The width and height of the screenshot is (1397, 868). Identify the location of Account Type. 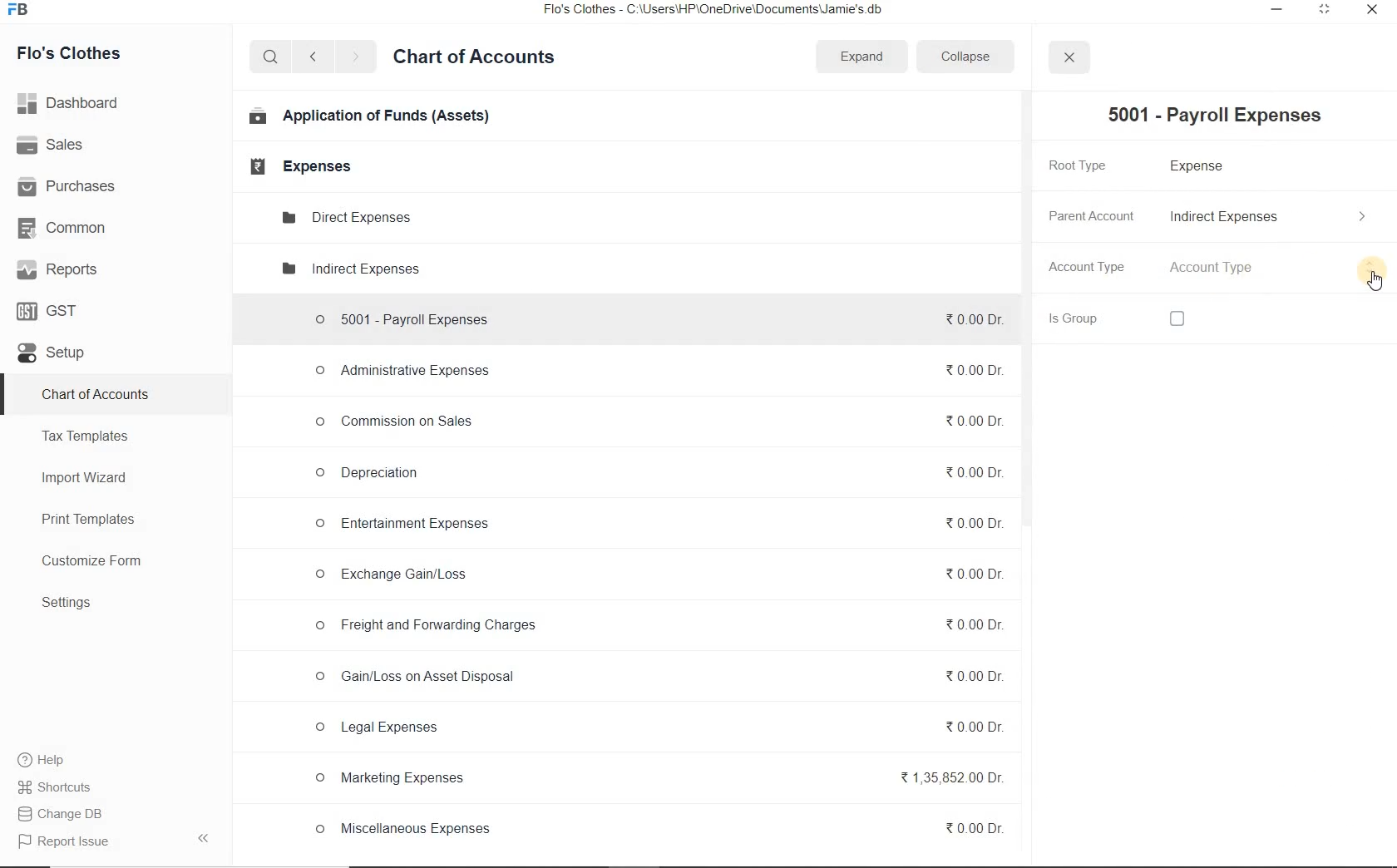
(1273, 269).